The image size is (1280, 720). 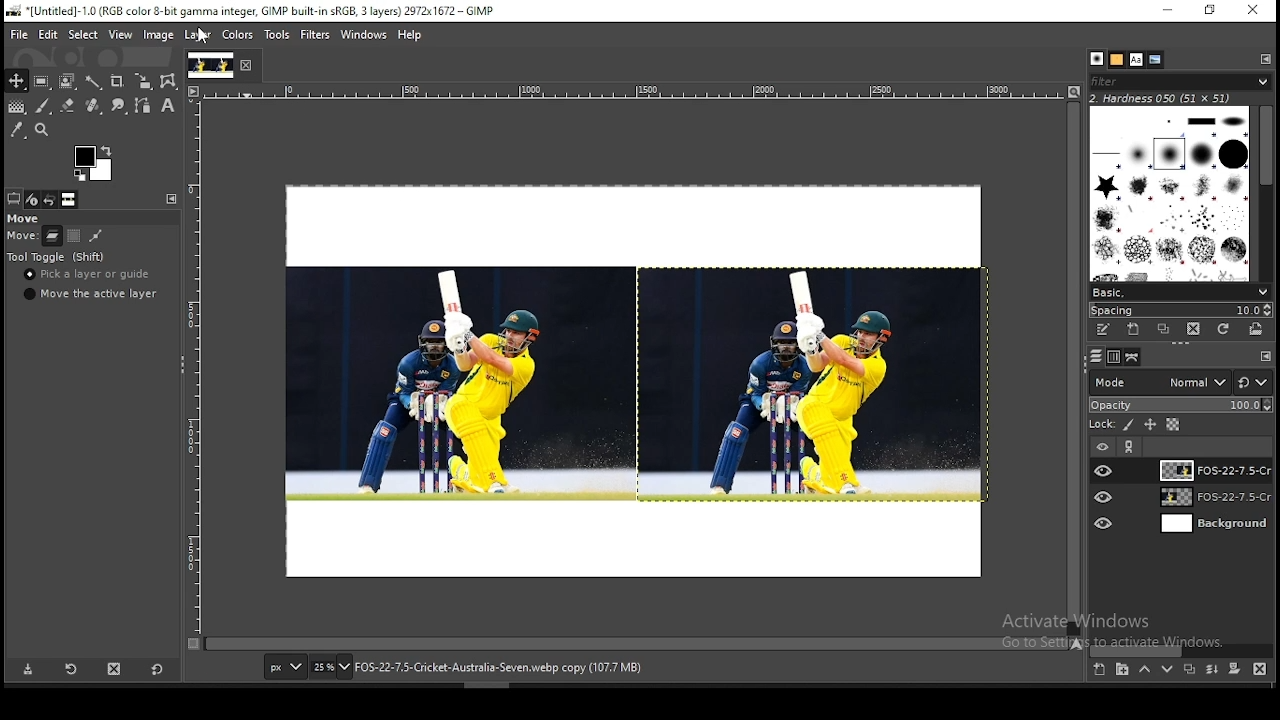 What do you see at coordinates (140, 82) in the screenshot?
I see `crop tool` at bounding box center [140, 82].